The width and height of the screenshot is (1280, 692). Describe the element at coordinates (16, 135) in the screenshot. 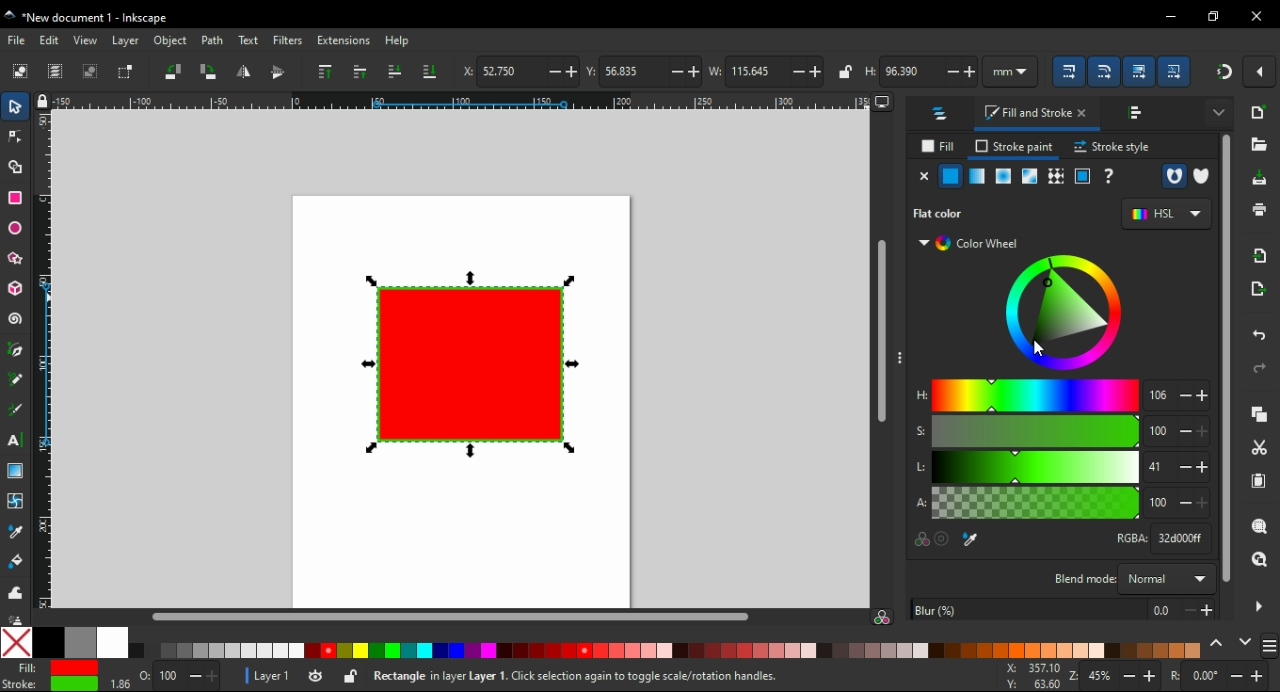

I see `node tool` at that location.